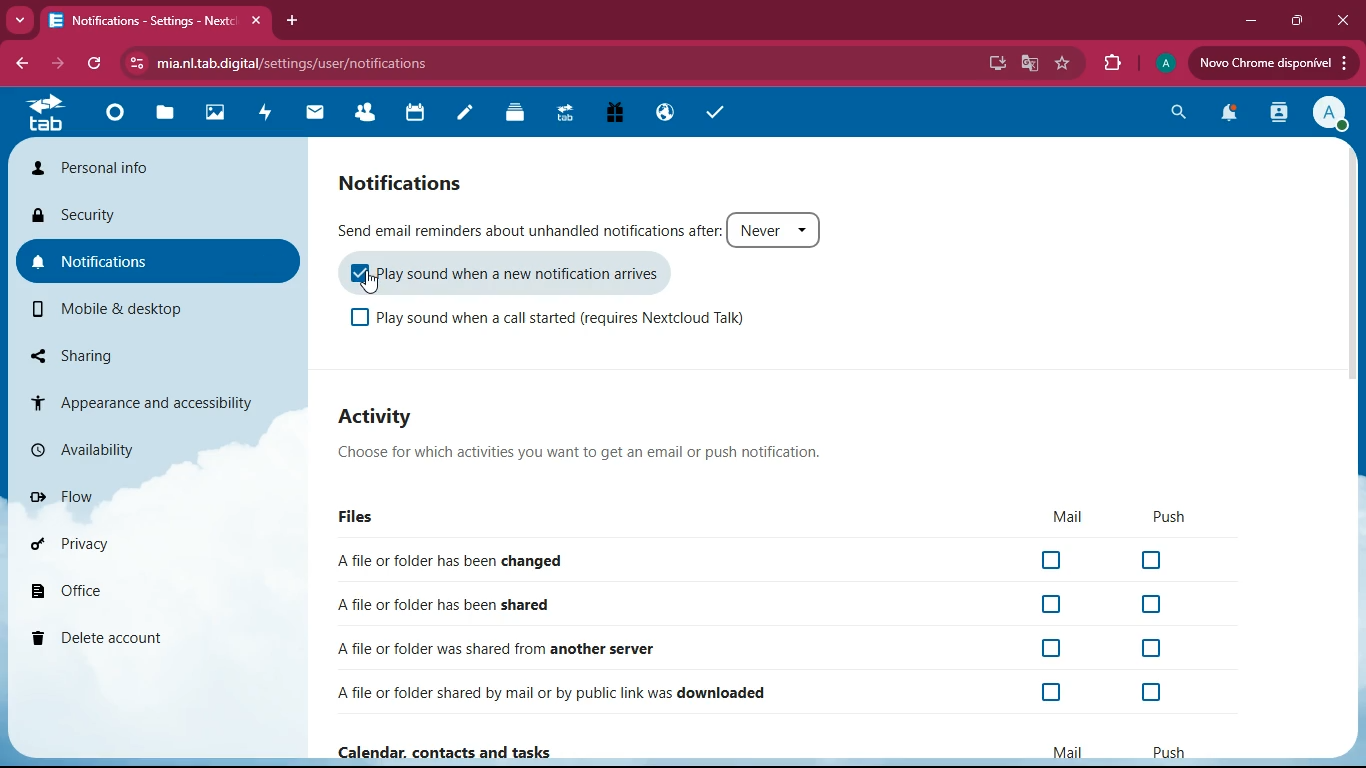 This screenshot has height=768, width=1366. Describe the element at coordinates (1030, 62) in the screenshot. I see `google translate` at that location.